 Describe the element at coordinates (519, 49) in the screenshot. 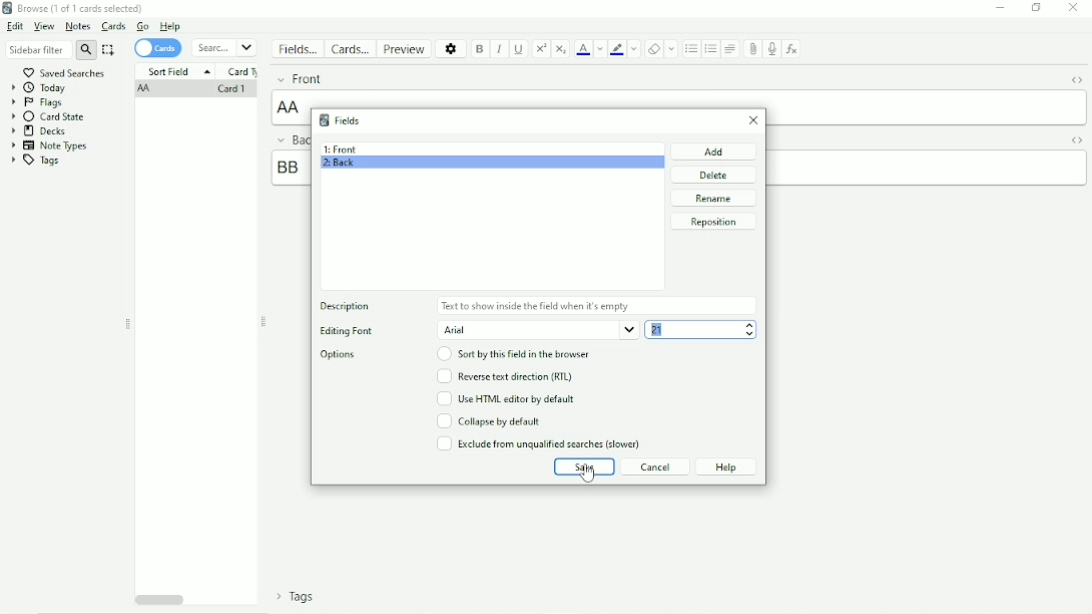

I see `Underline` at that location.